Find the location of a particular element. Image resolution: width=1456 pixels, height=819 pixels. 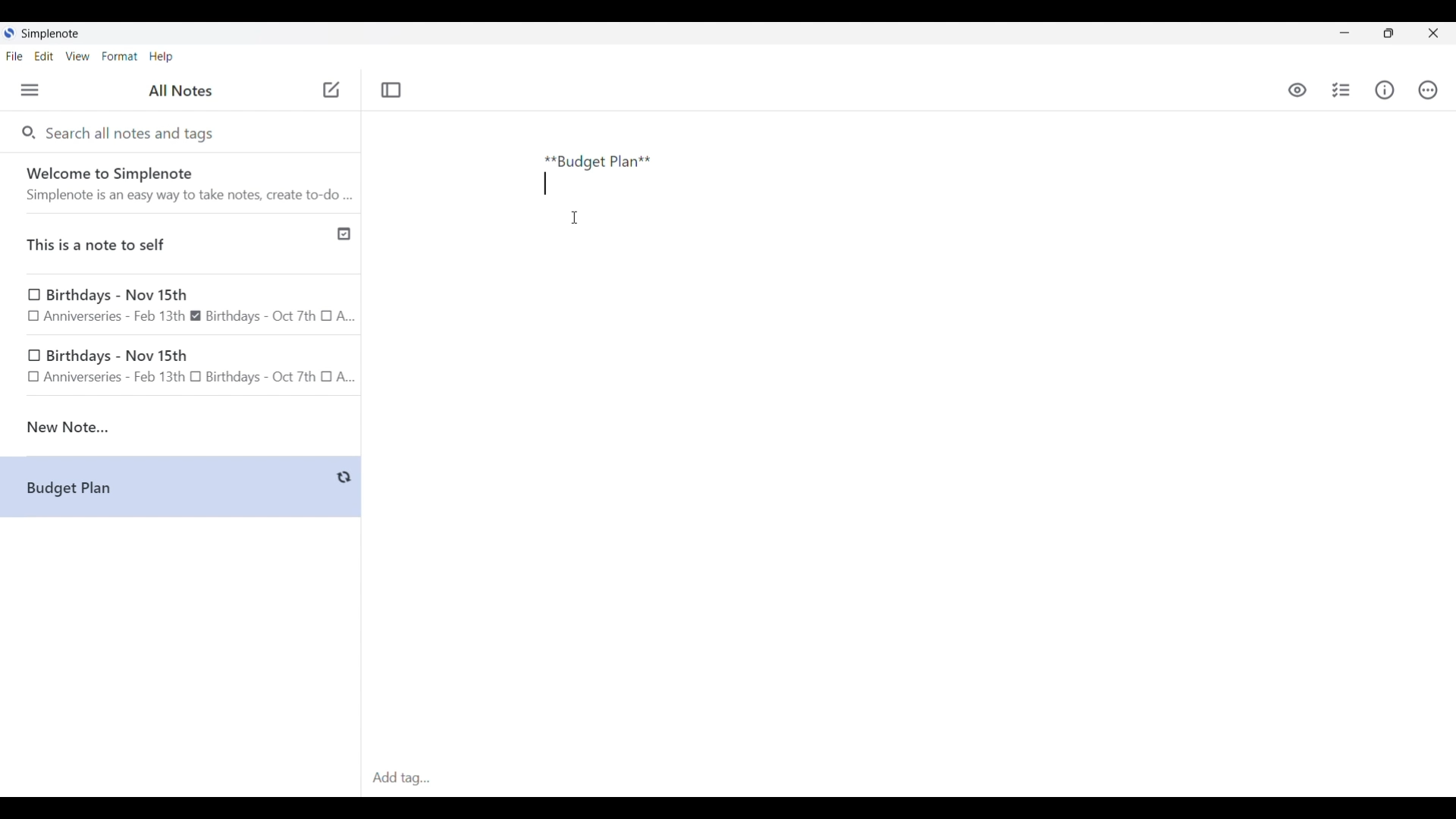

Software welcome note is located at coordinates (184, 183).